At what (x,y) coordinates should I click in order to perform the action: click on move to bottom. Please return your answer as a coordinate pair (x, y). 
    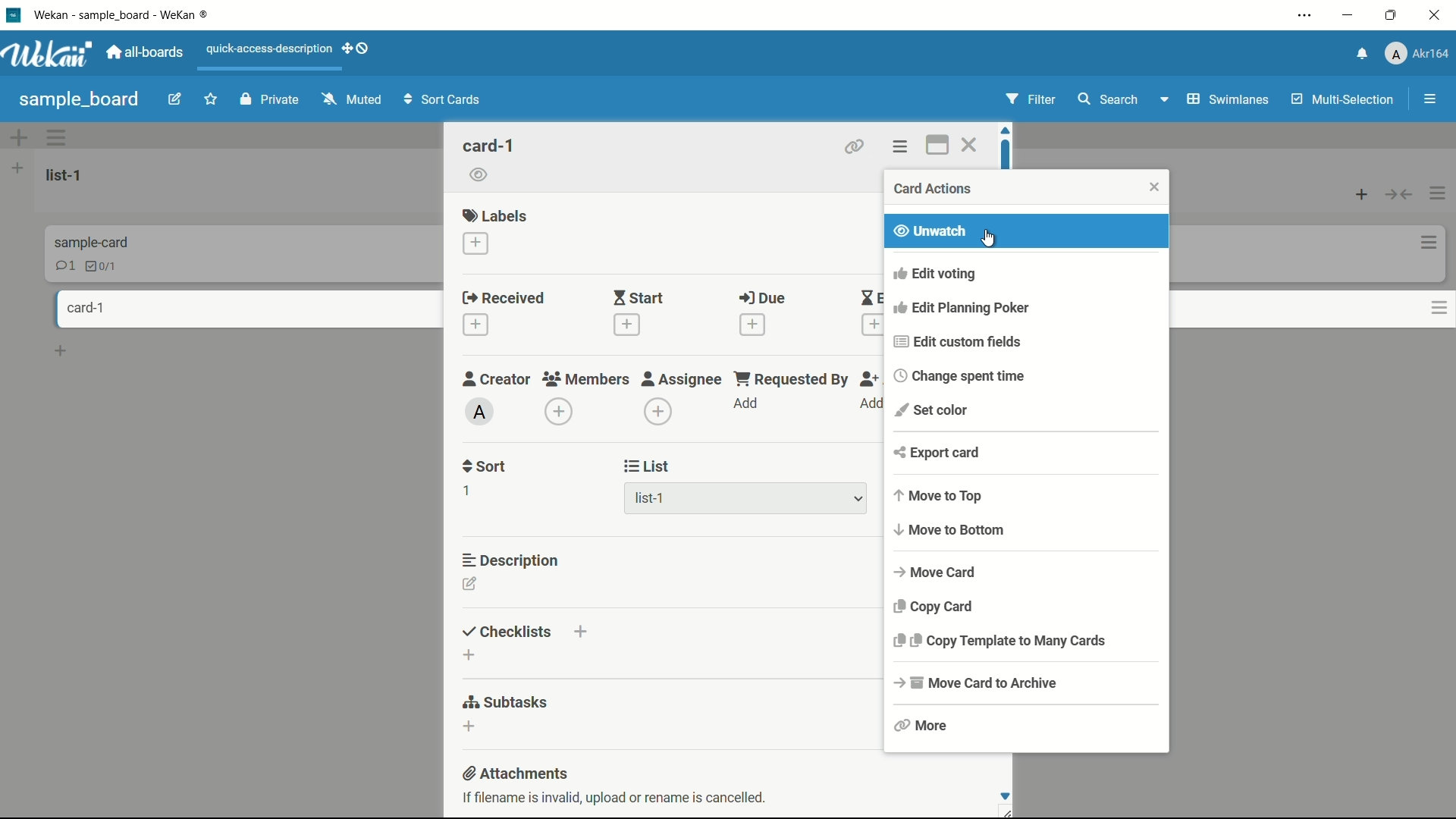
    Looking at the image, I should click on (952, 529).